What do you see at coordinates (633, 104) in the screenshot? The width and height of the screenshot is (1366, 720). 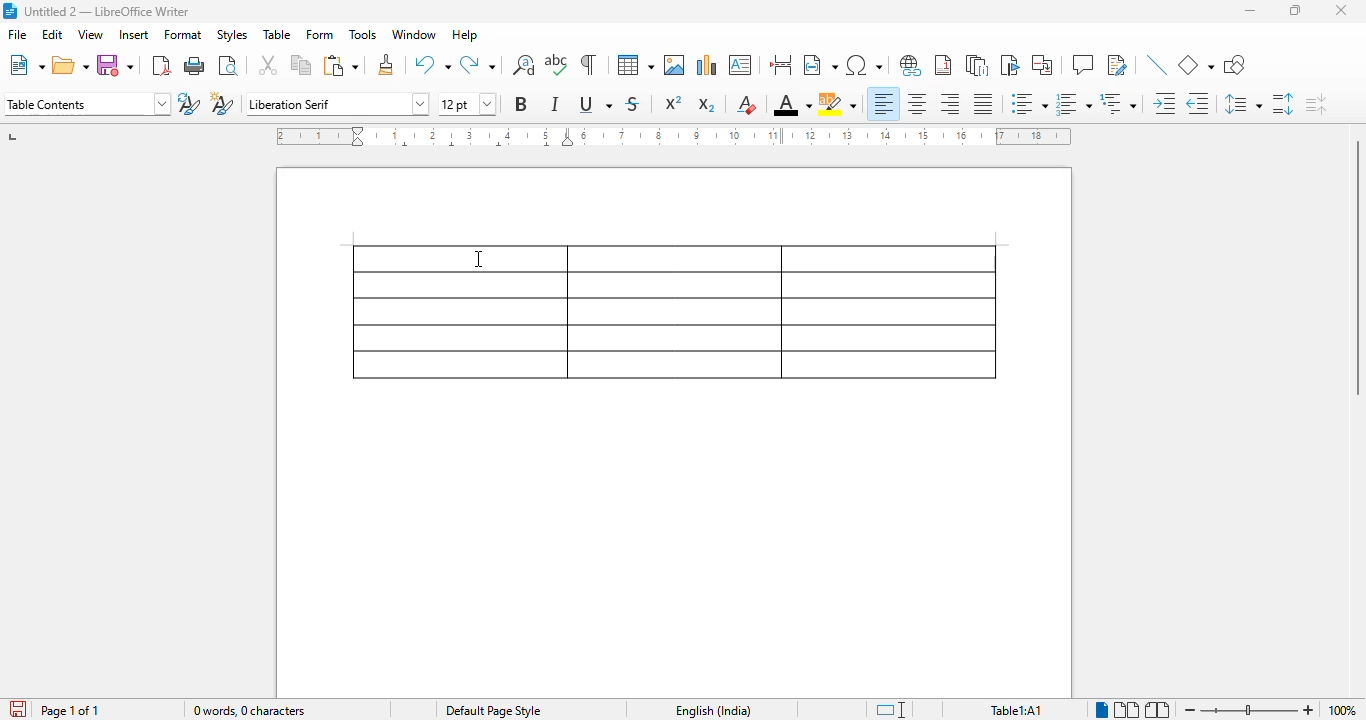 I see `strikethrough` at bounding box center [633, 104].